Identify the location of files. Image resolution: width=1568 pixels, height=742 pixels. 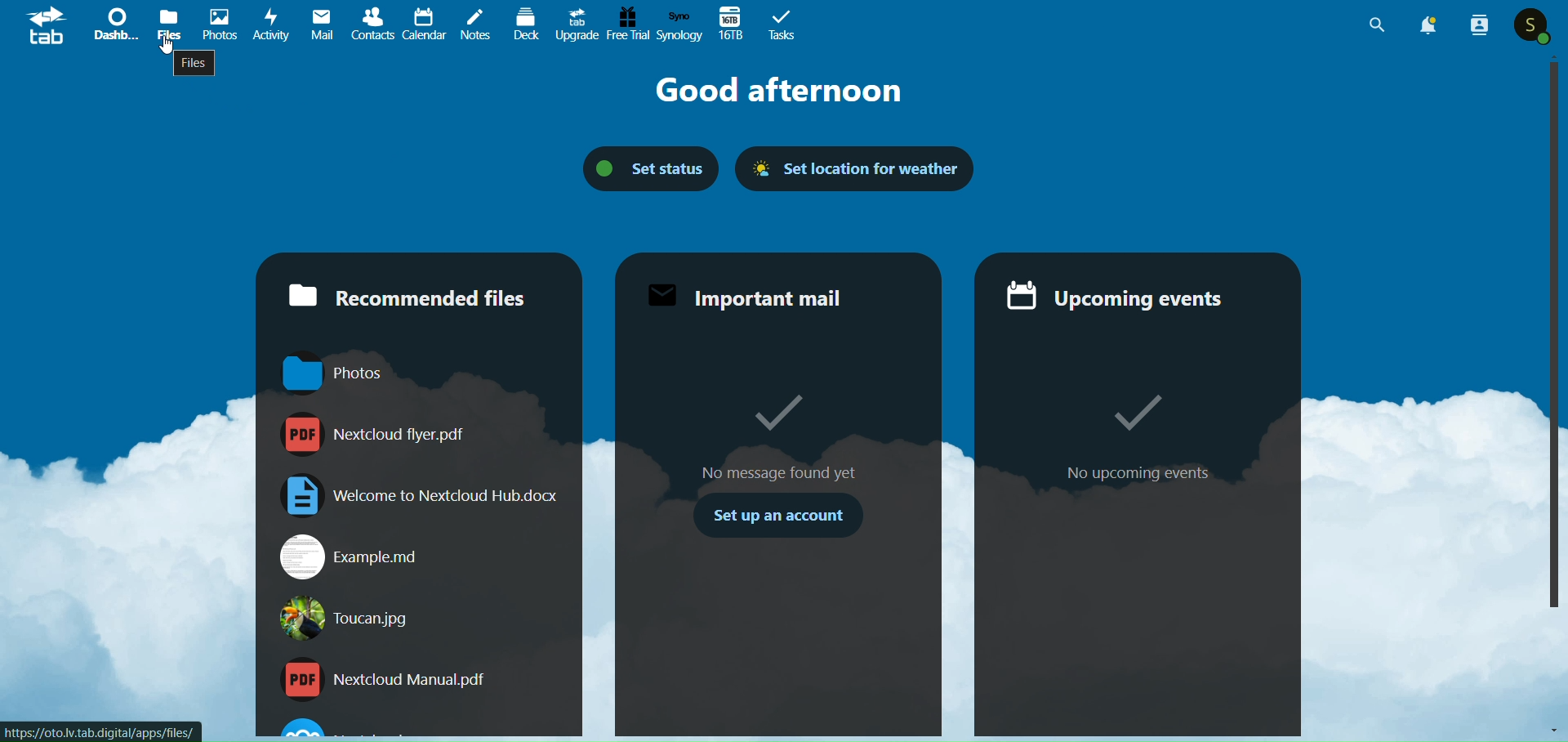
(171, 26).